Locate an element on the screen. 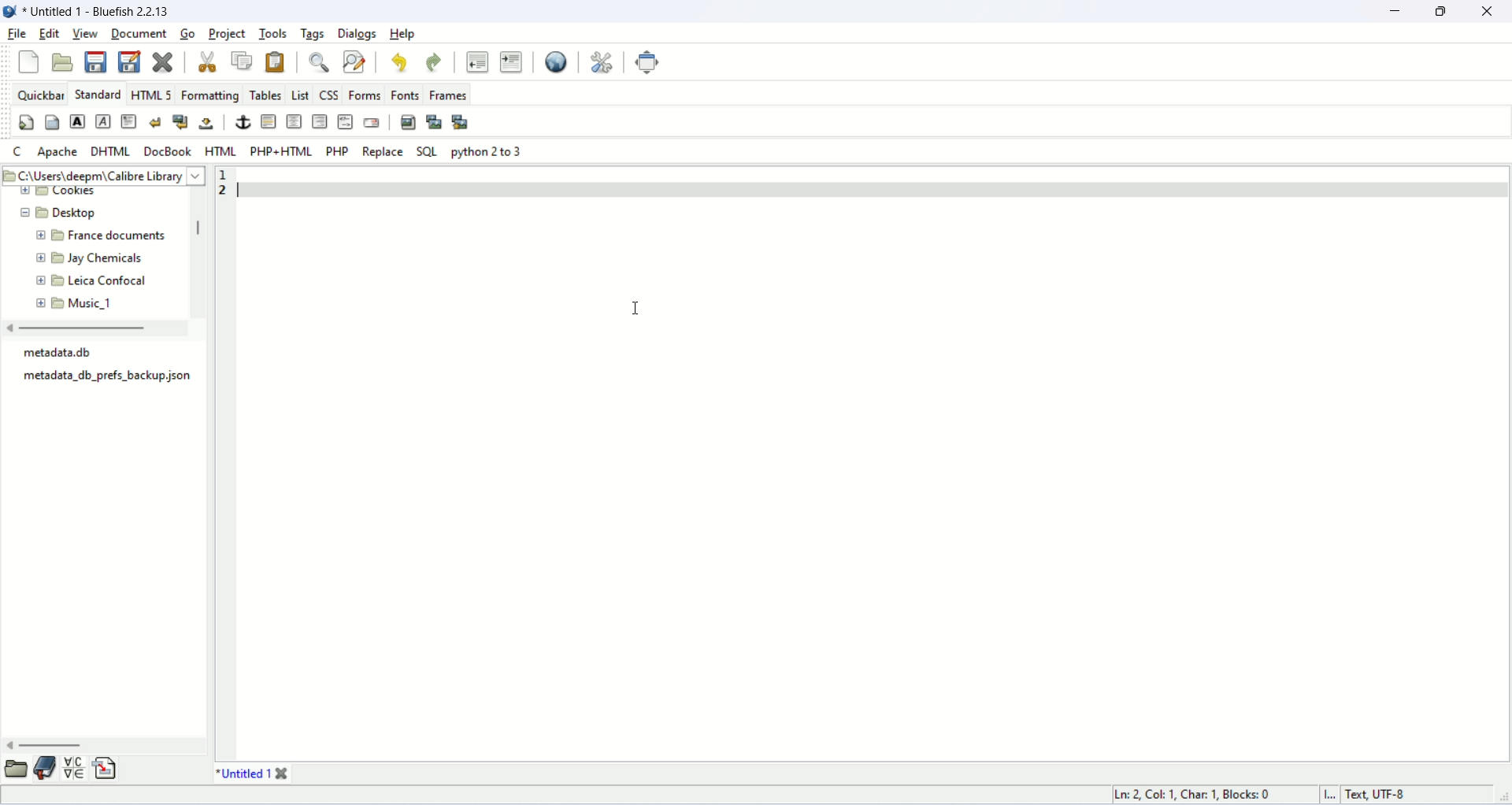 The height and width of the screenshot is (805, 1512). Multi thumbnail is located at coordinates (458, 120).